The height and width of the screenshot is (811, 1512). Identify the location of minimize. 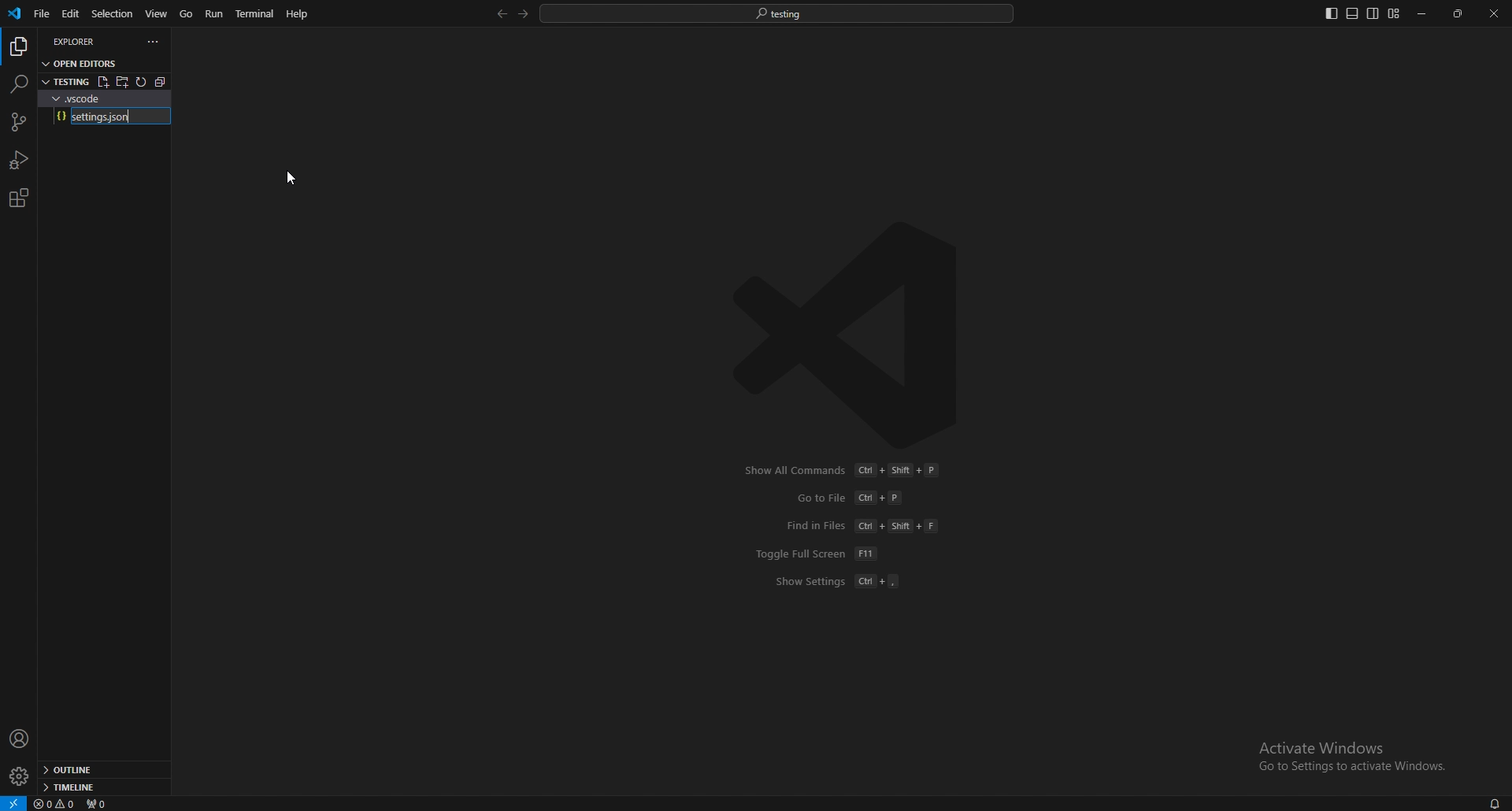
(1423, 14).